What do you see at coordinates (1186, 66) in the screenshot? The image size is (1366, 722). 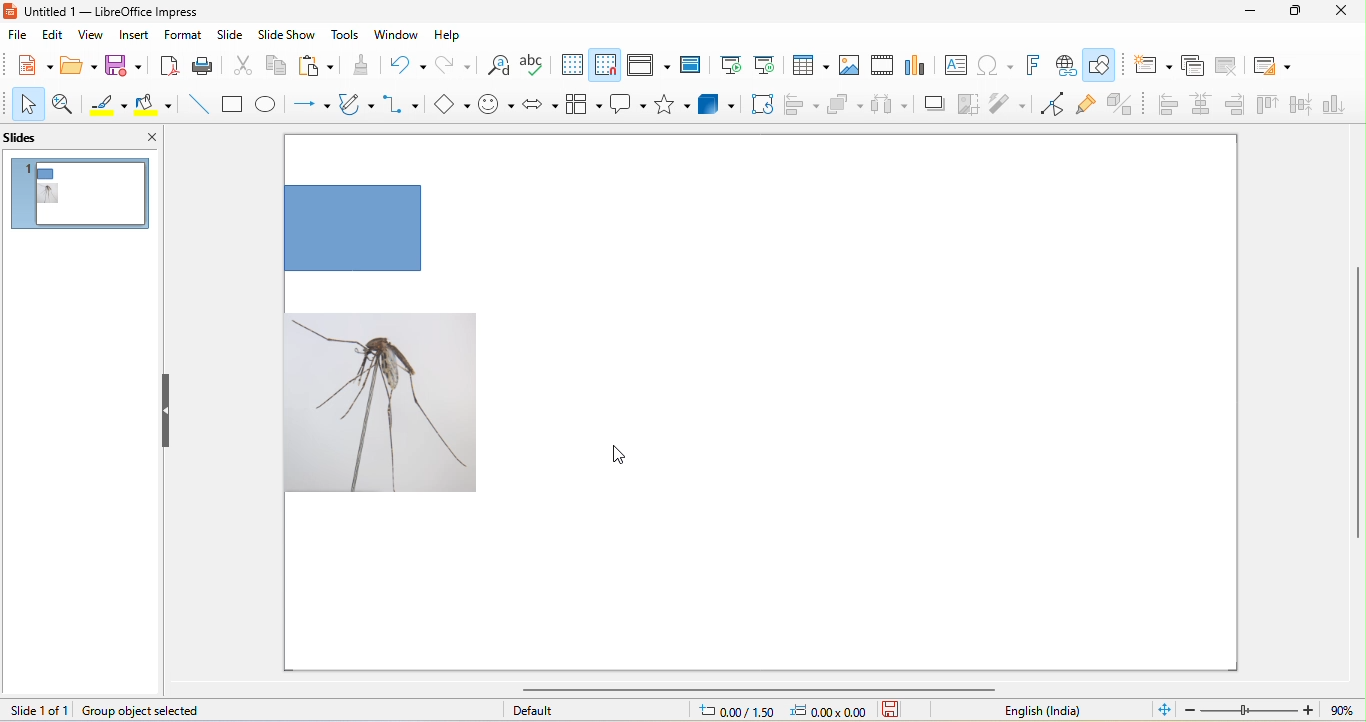 I see `duplicate slide` at bounding box center [1186, 66].